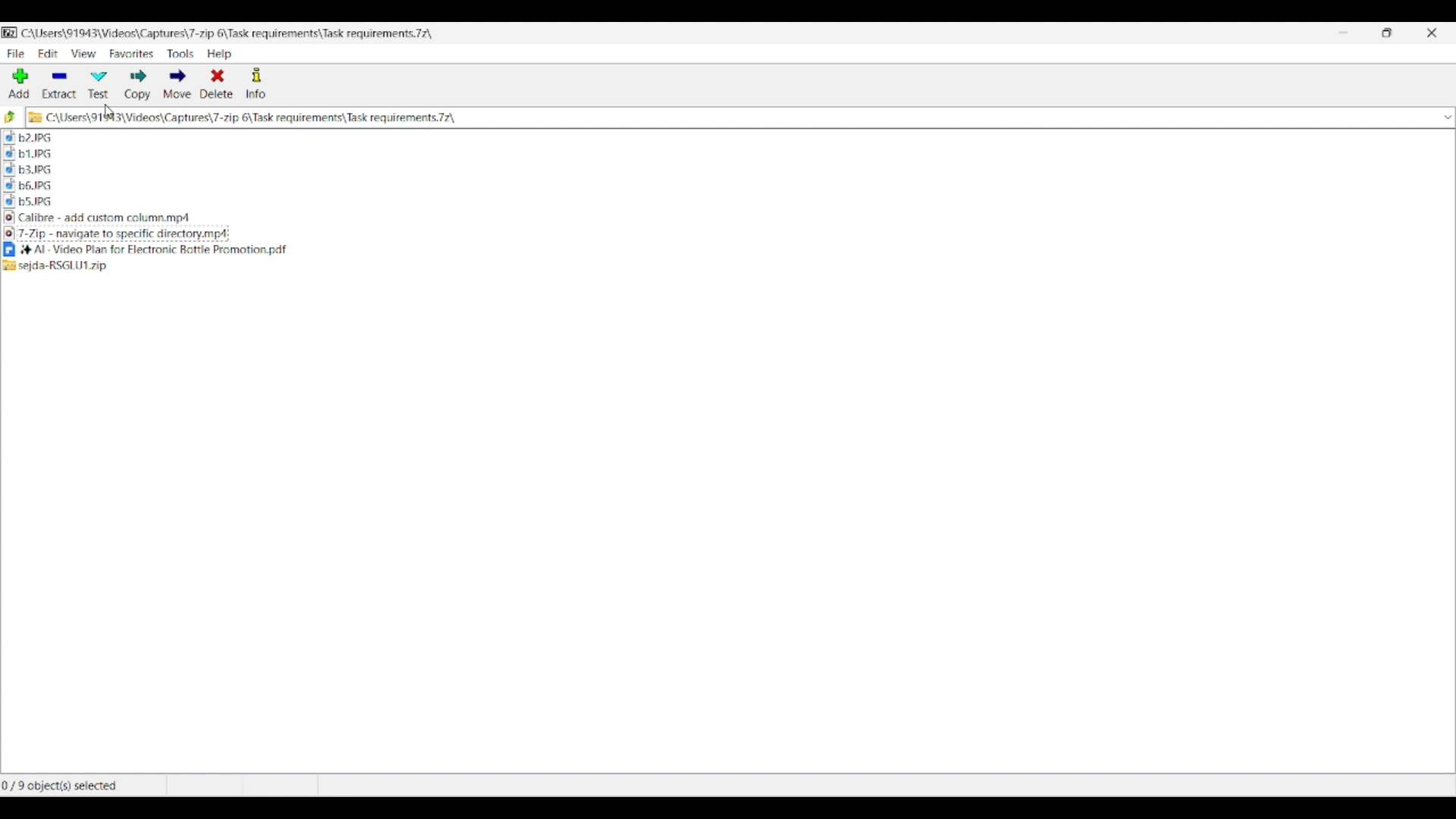  I want to click on file 7 and type, so click(417, 234).